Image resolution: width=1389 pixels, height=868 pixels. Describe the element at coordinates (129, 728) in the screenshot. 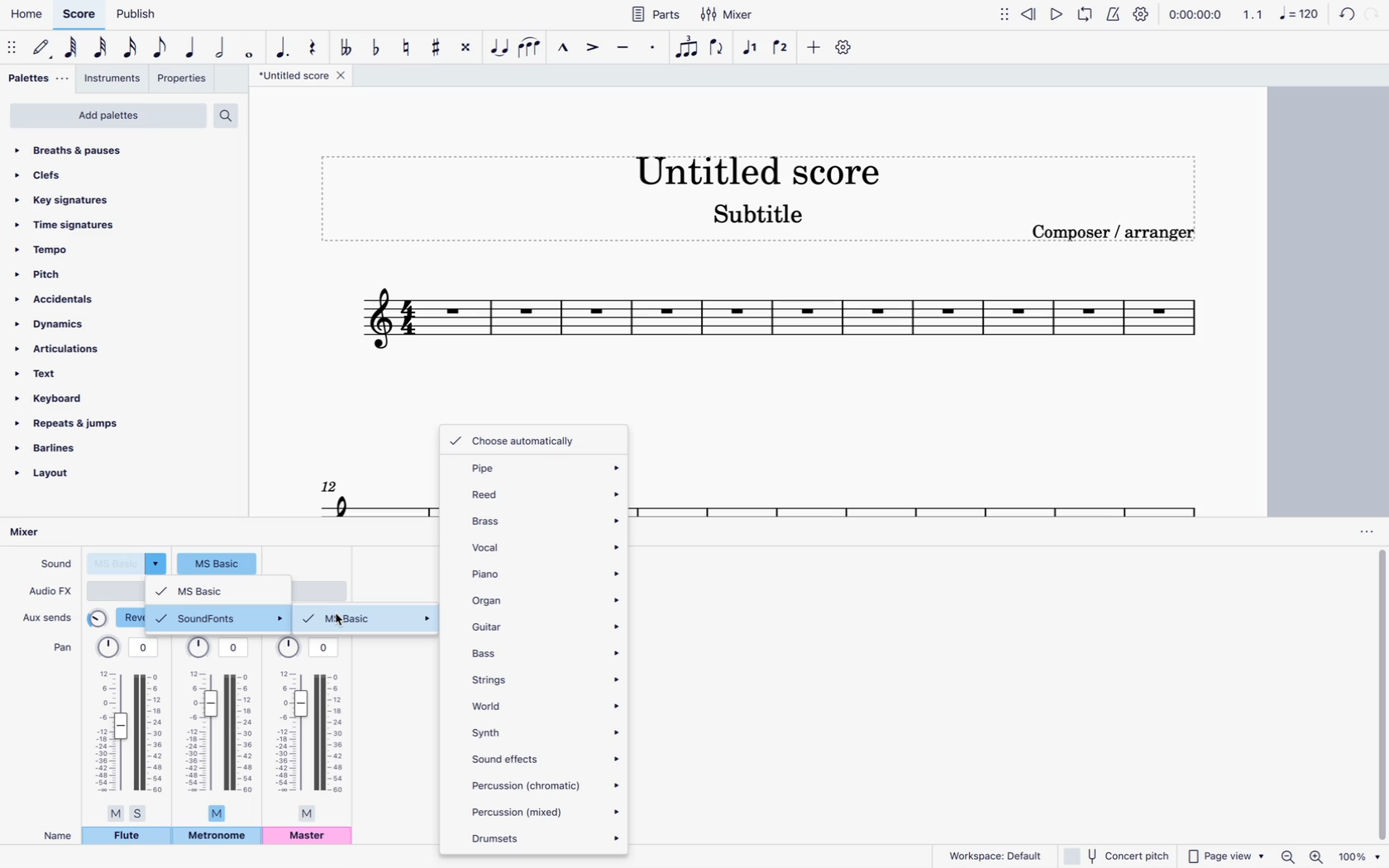

I see `pan` at that location.